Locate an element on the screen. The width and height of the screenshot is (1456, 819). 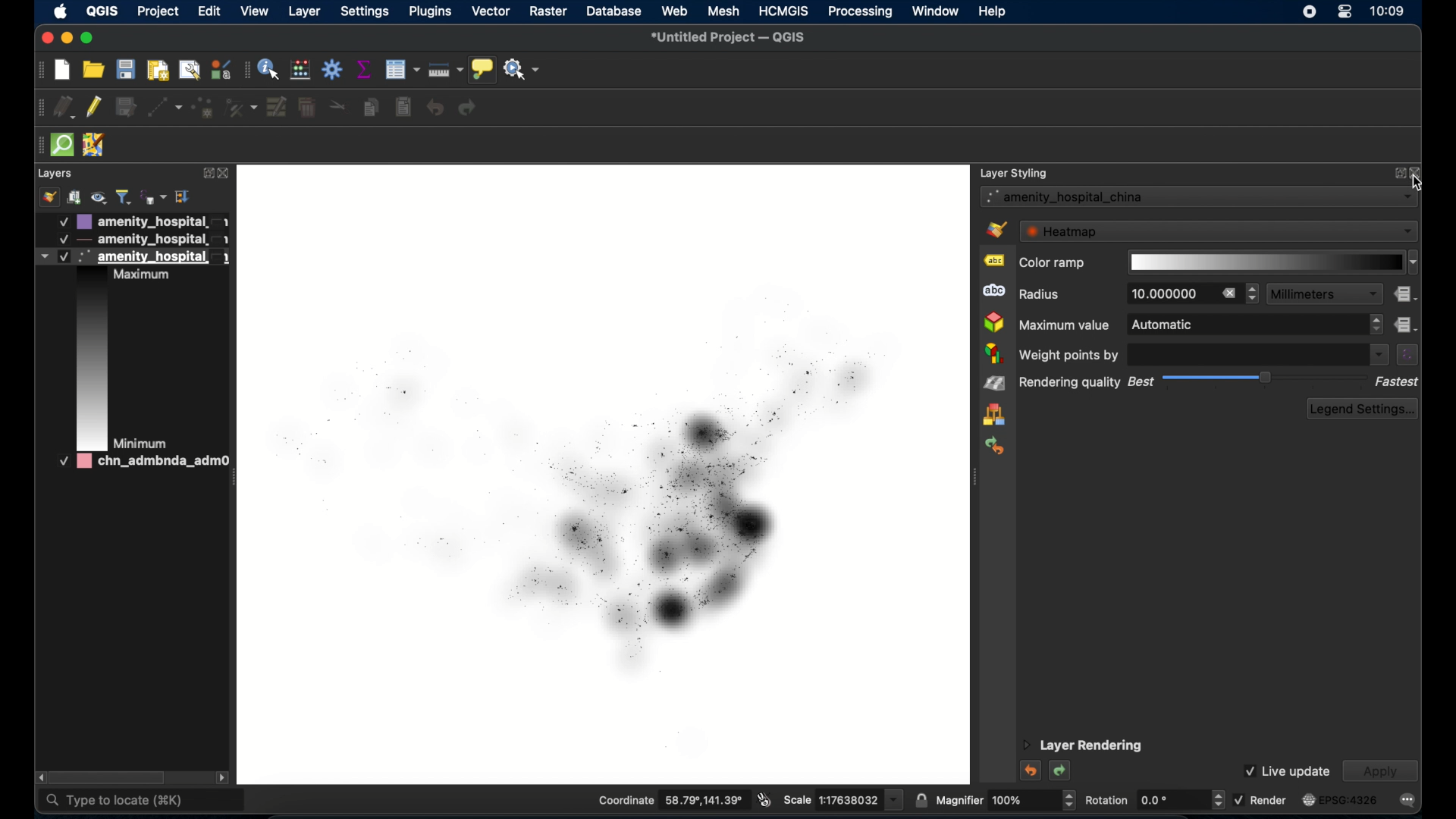
layer 1 is located at coordinates (142, 221).